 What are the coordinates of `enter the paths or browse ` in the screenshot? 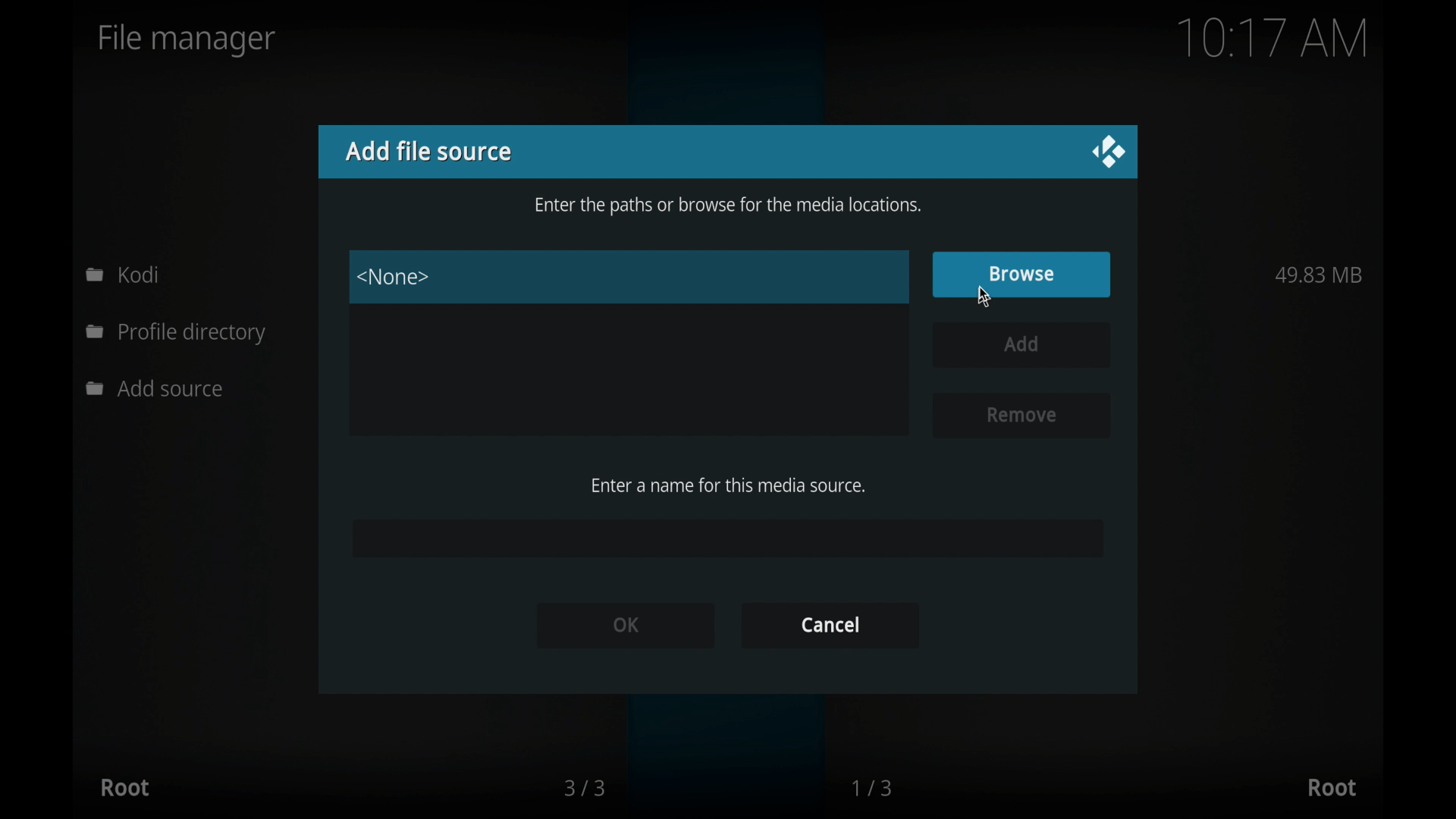 It's located at (730, 207).